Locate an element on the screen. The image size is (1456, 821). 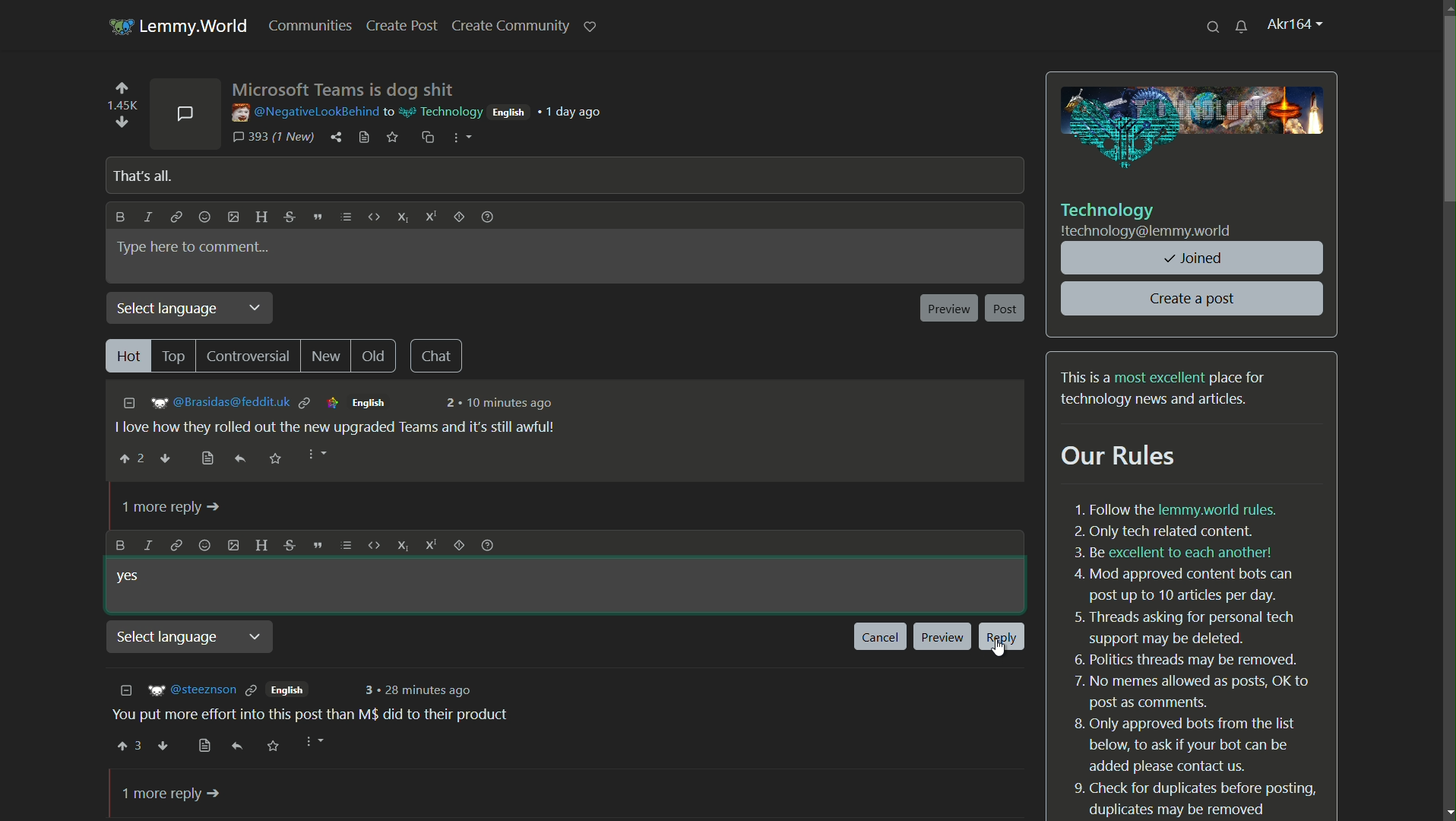
cancel is located at coordinates (881, 637).